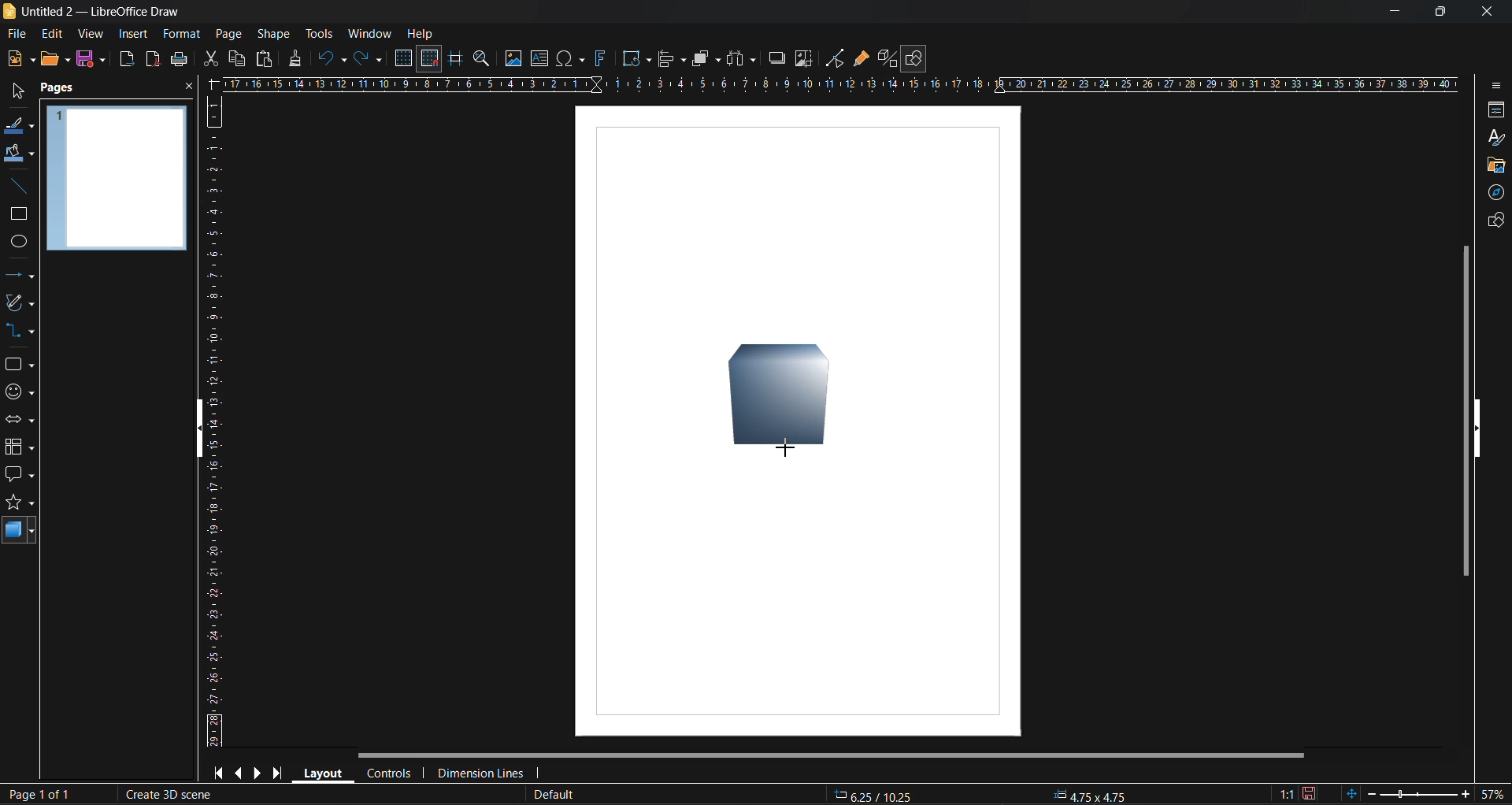 Image resolution: width=1512 pixels, height=805 pixels. Describe the element at coordinates (1354, 793) in the screenshot. I see `fit to window` at that location.